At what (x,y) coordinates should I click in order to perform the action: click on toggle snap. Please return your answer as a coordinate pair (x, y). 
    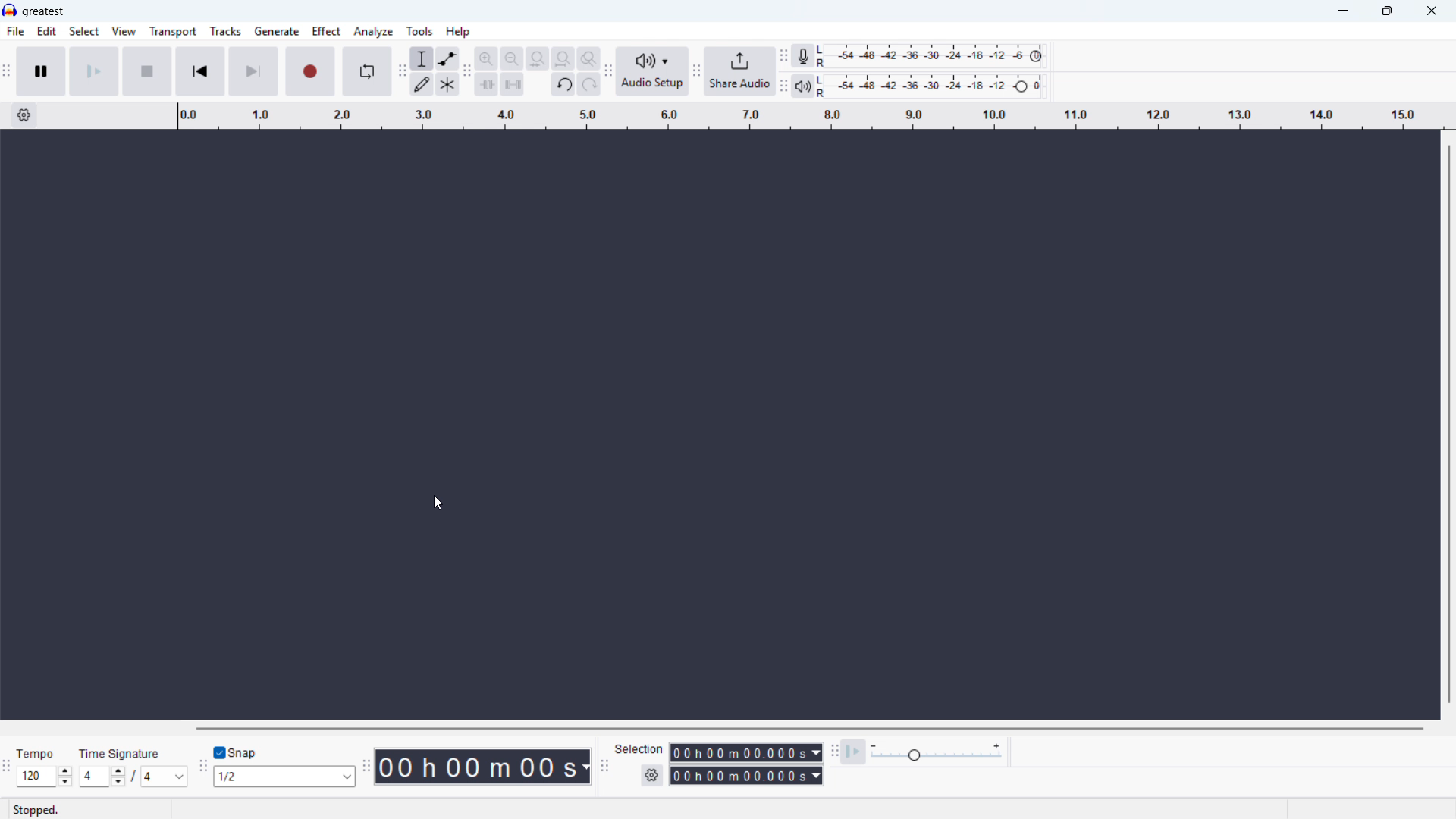
    Looking at the image, I should click on (238, 752).